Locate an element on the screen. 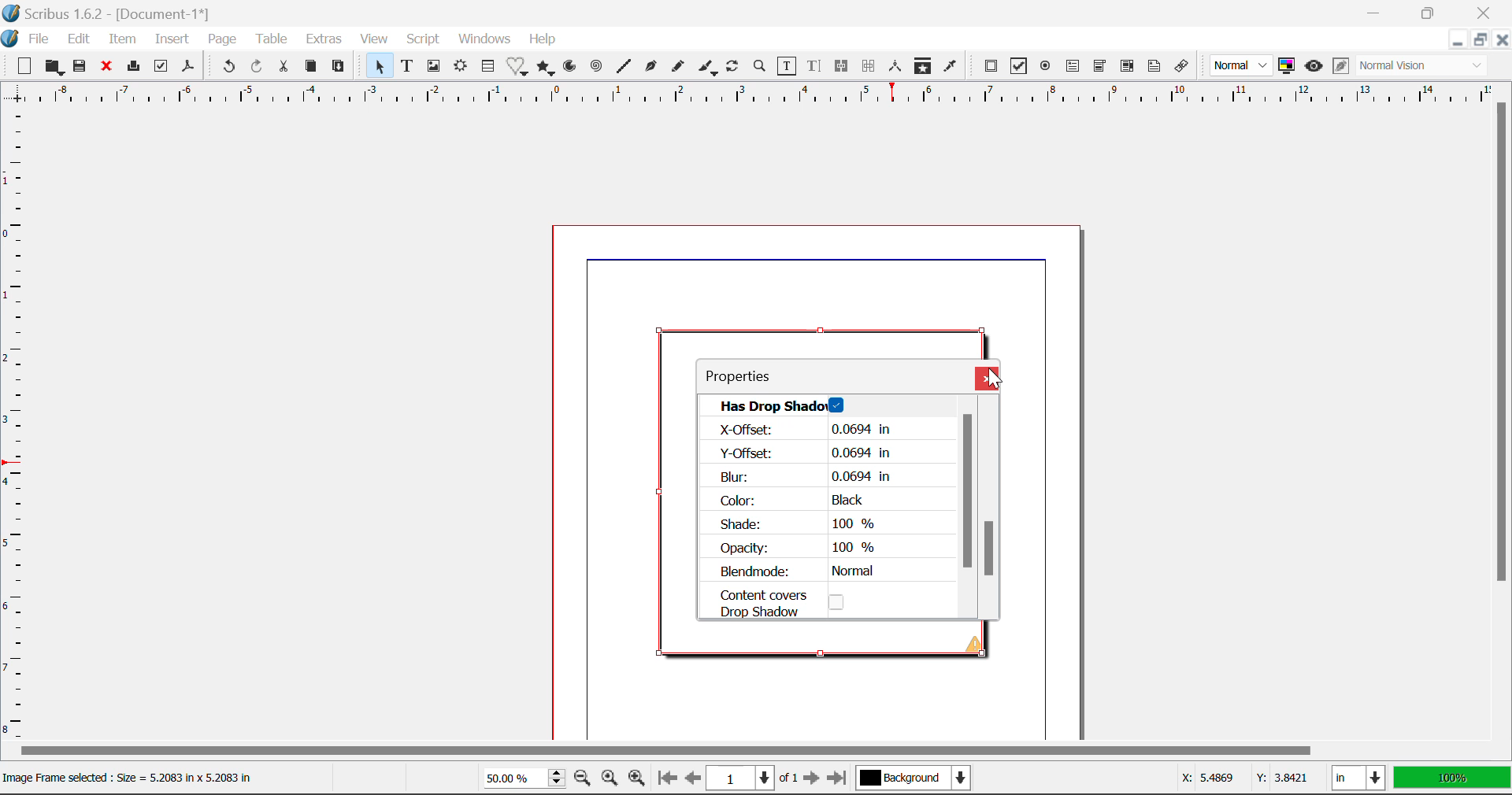 Image resolution: width=1512 pixels, height=795 pixels. Normal is located at coordinates (1242, 65).